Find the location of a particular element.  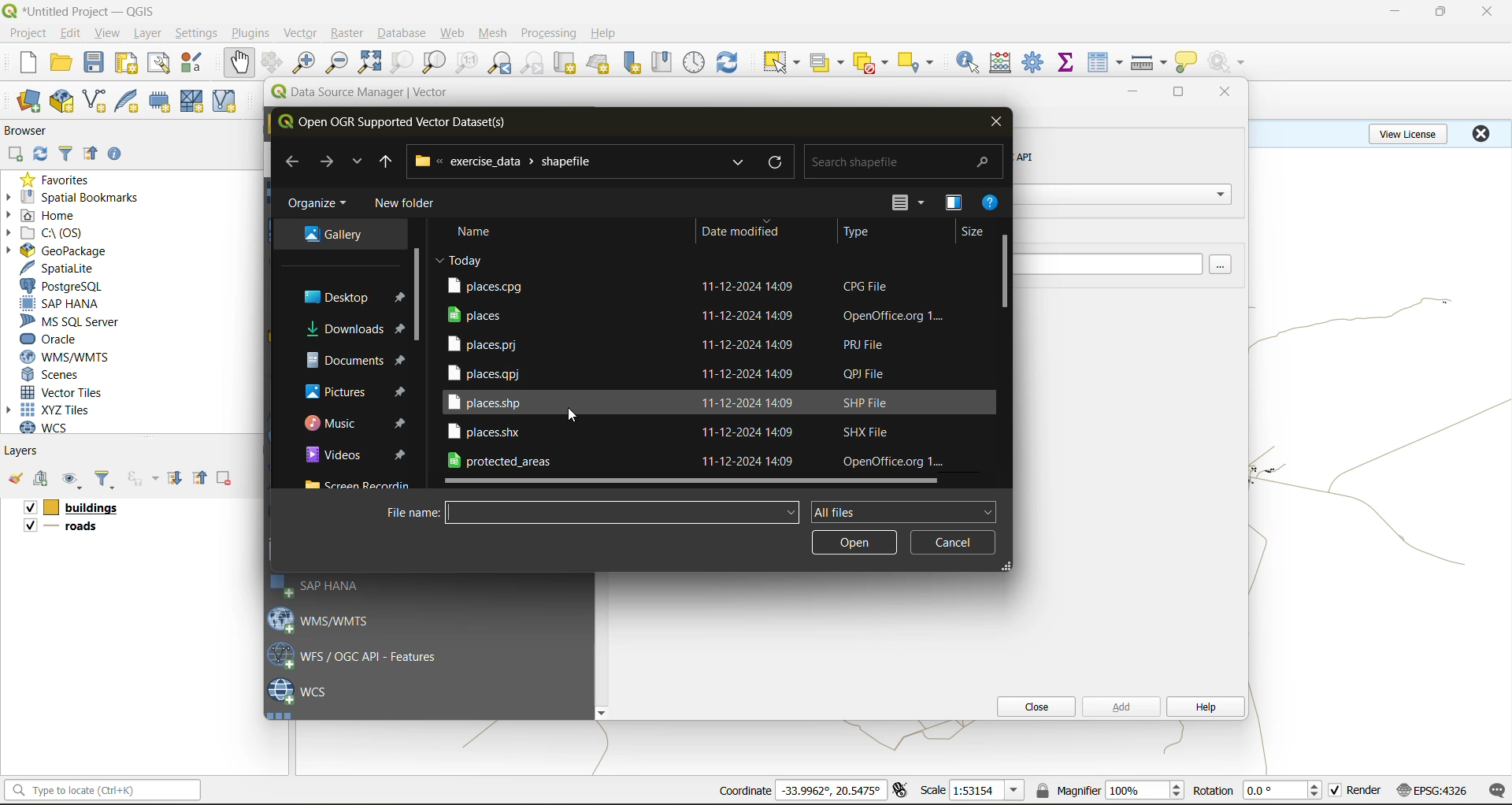

collapse all is located at coordinates (91, 157).